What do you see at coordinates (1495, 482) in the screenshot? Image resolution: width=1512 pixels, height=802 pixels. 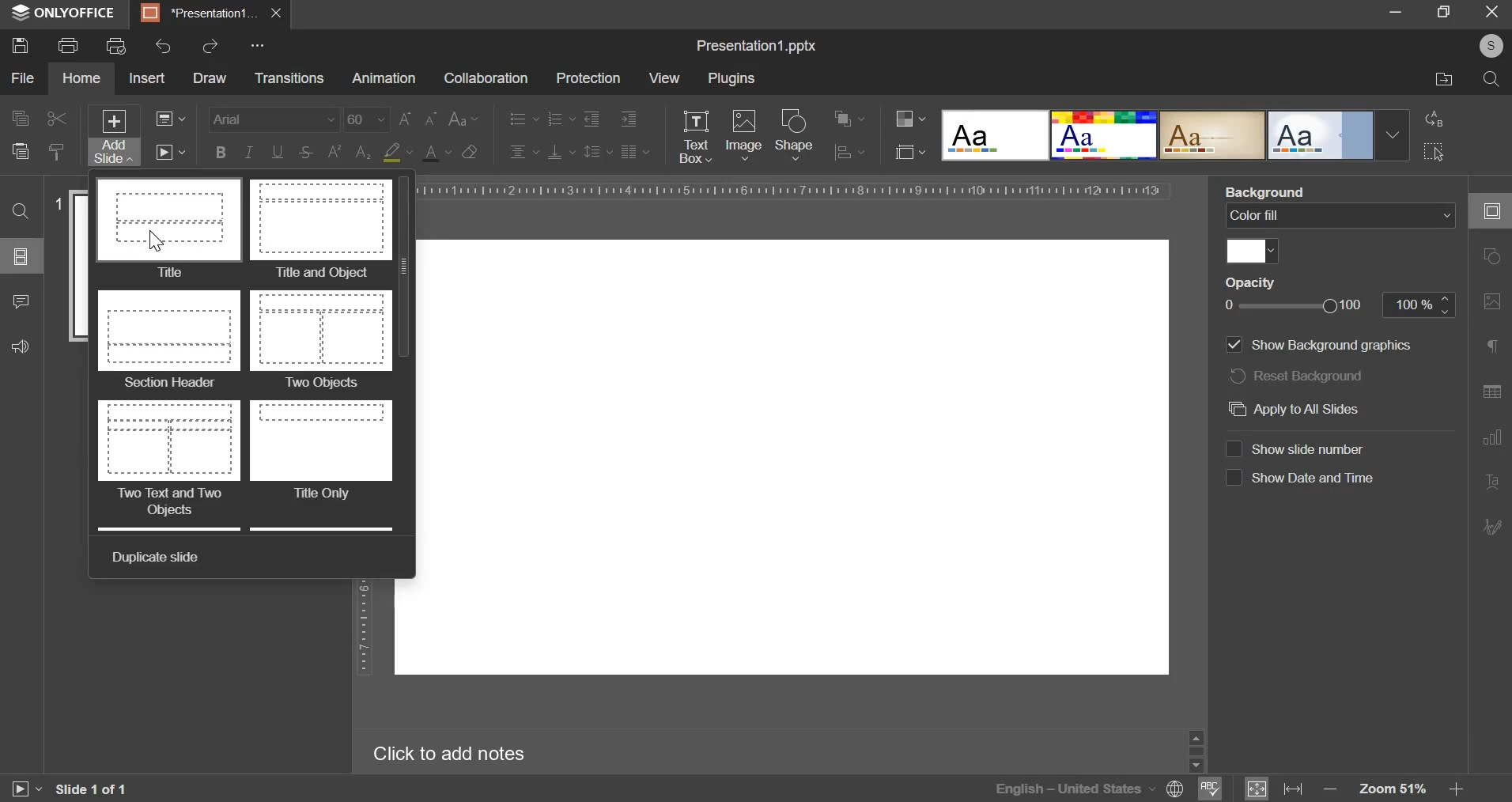 I see `text art settings` at bounding box center [1495, 482].